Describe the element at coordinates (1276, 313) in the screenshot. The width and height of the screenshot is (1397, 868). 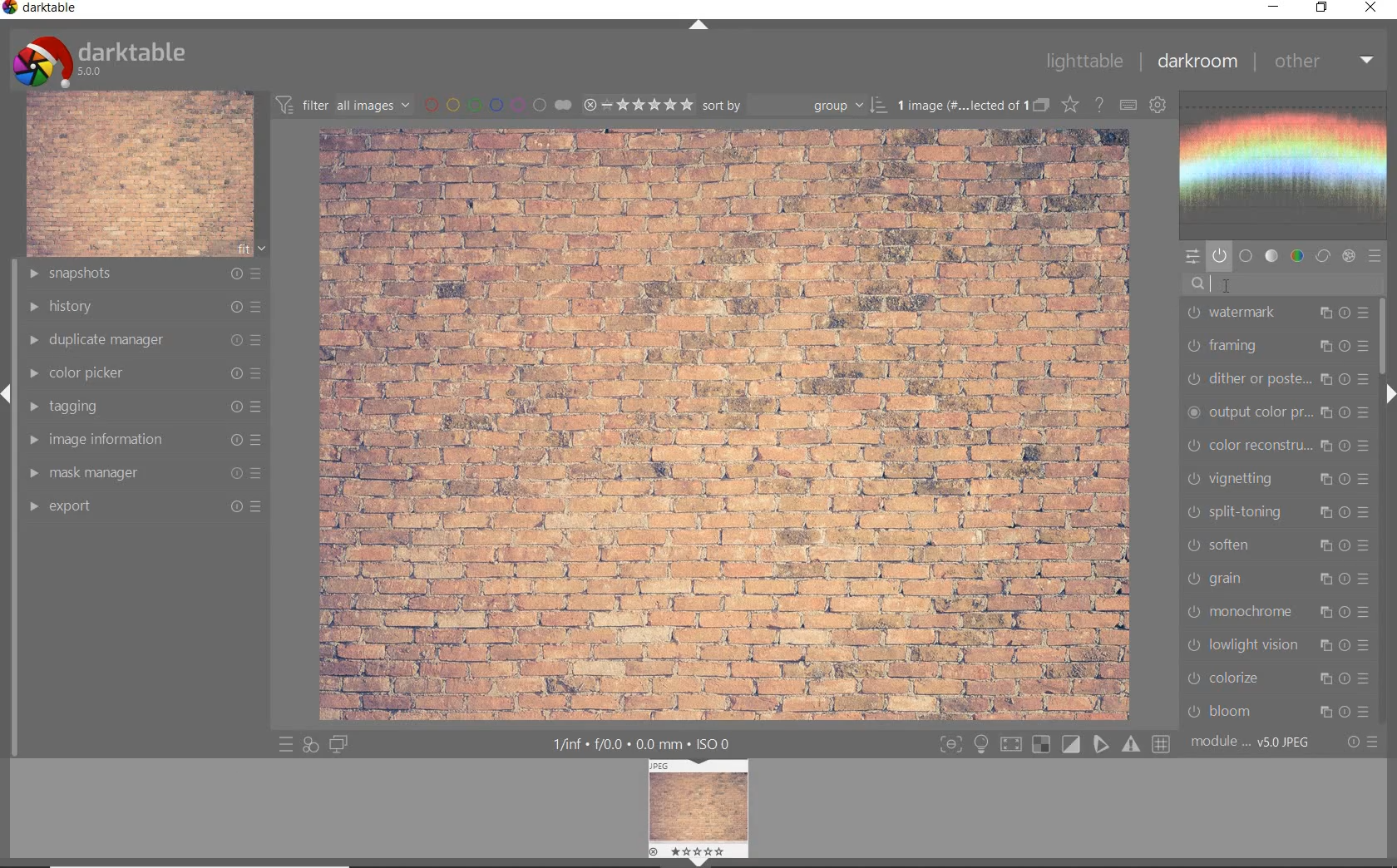
I see `watermark` at that location.